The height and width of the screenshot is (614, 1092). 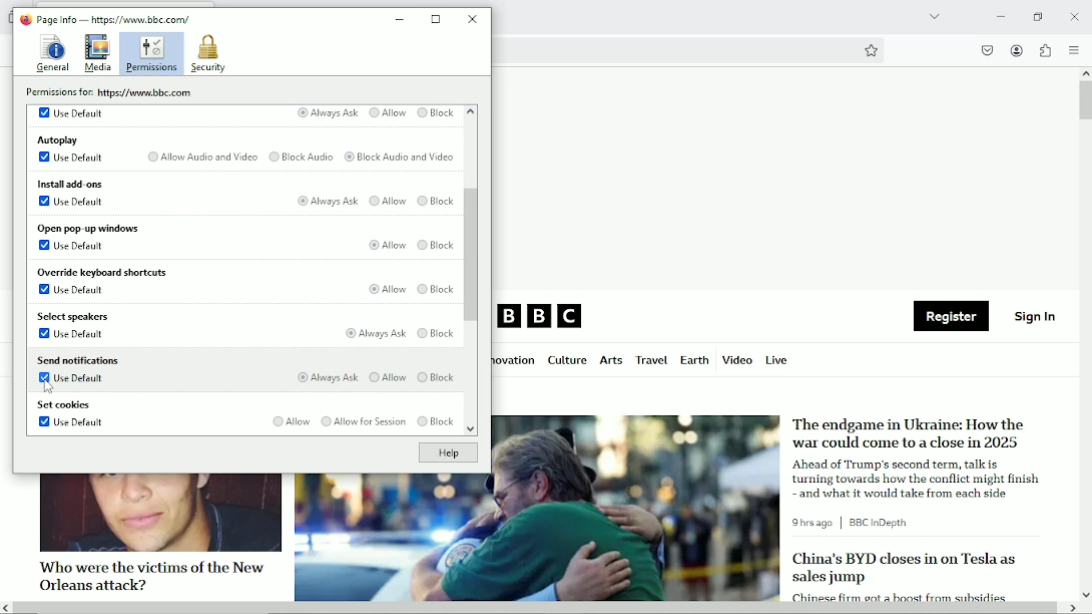 What do you see at coordinates (326, 378) in the screenshot?
I see `Always ask` at bounding box center [326, 378].